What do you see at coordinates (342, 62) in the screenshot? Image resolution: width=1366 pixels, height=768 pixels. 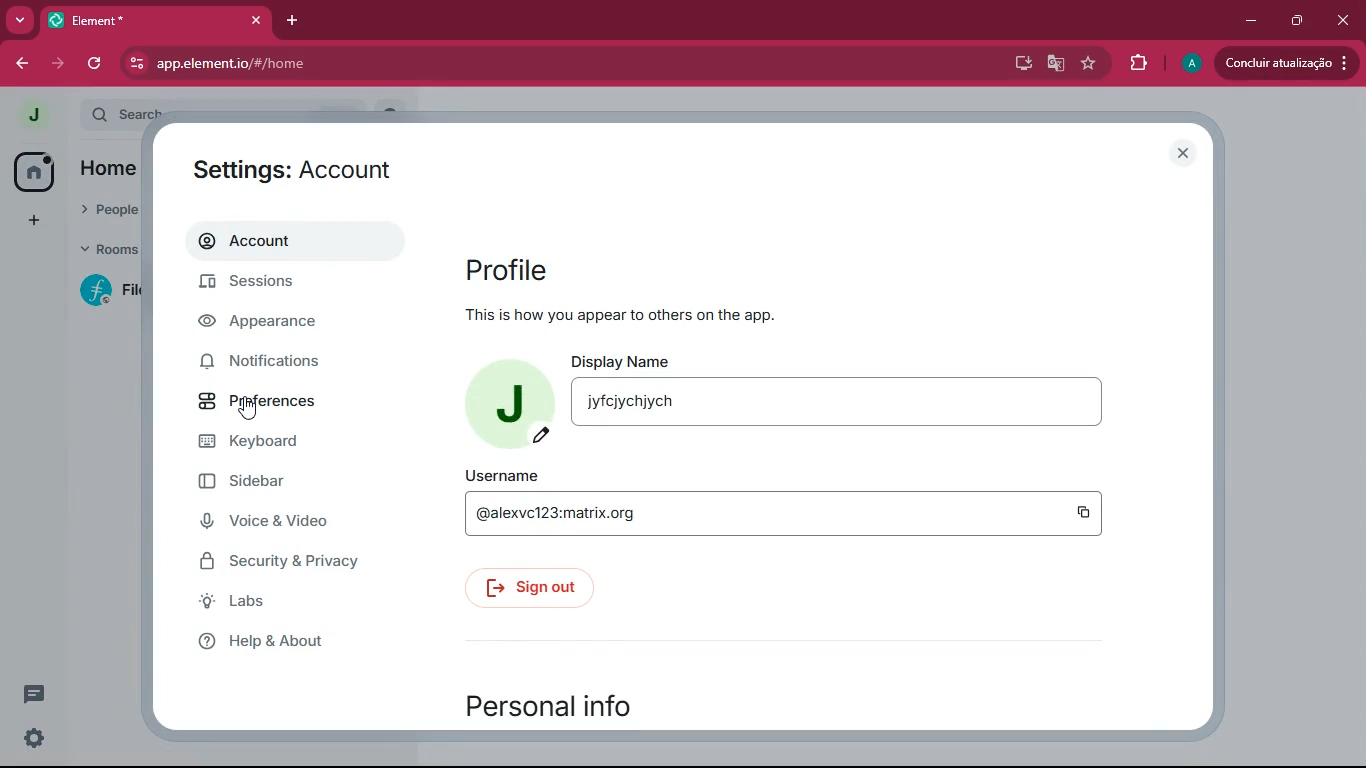 I see `app.element.io/#/home` at bounding box center [342, 62].